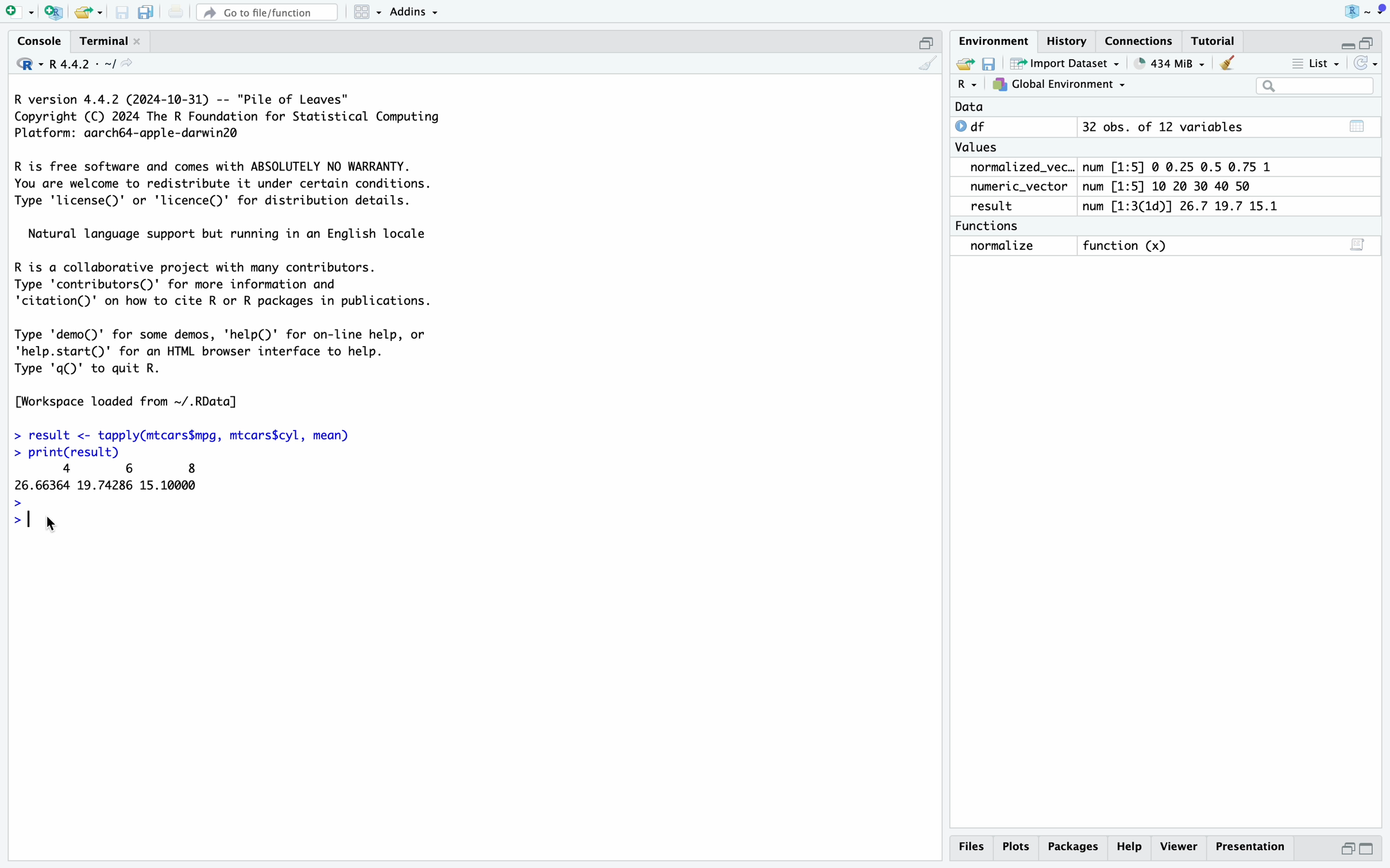  Describe the element at coordinates (1250, 847) in the screenshot. I see `Presentation` at that location.